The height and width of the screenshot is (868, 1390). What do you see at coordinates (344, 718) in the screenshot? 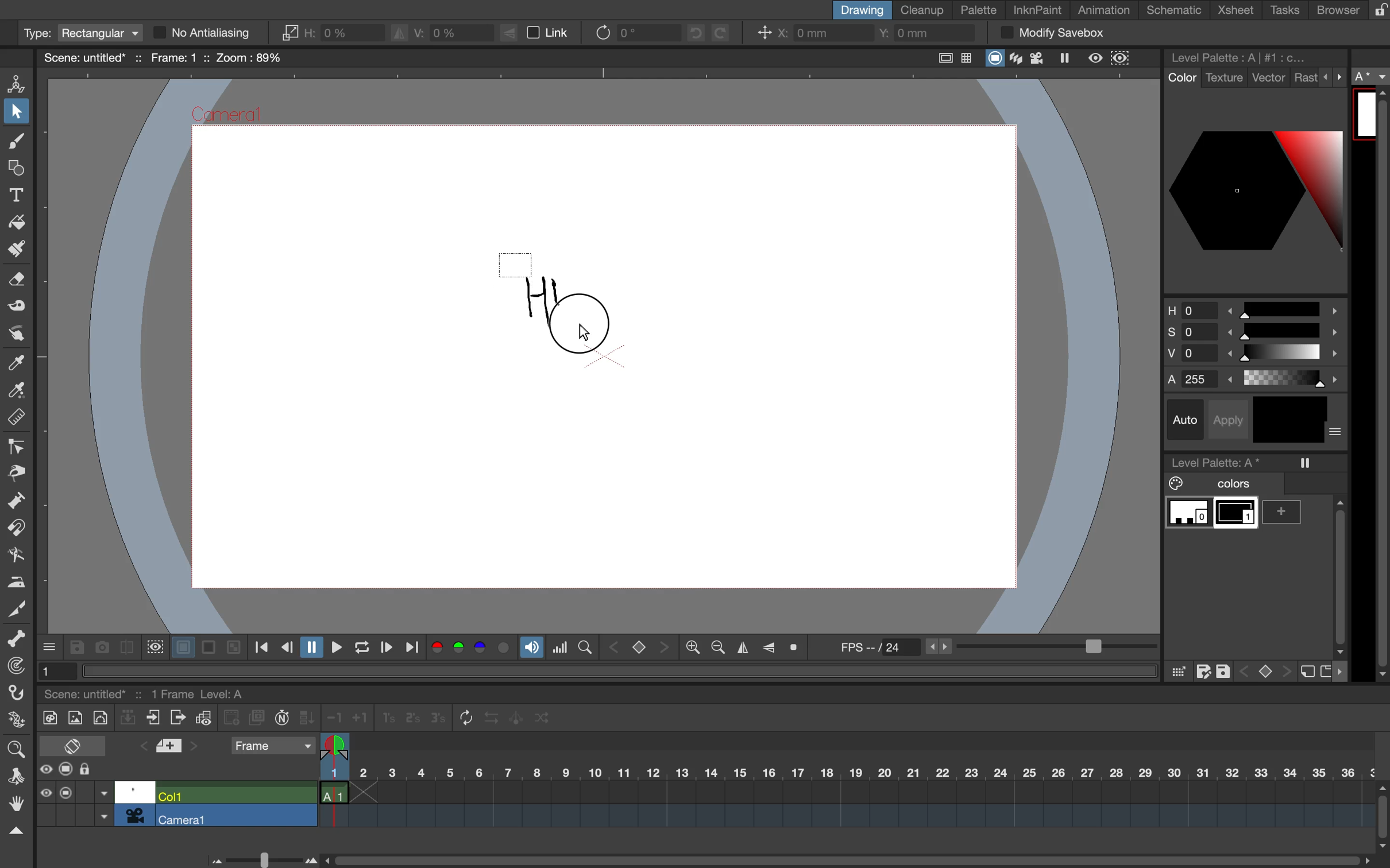
I see `increase decrease steps` at bounding box center [344, 718].